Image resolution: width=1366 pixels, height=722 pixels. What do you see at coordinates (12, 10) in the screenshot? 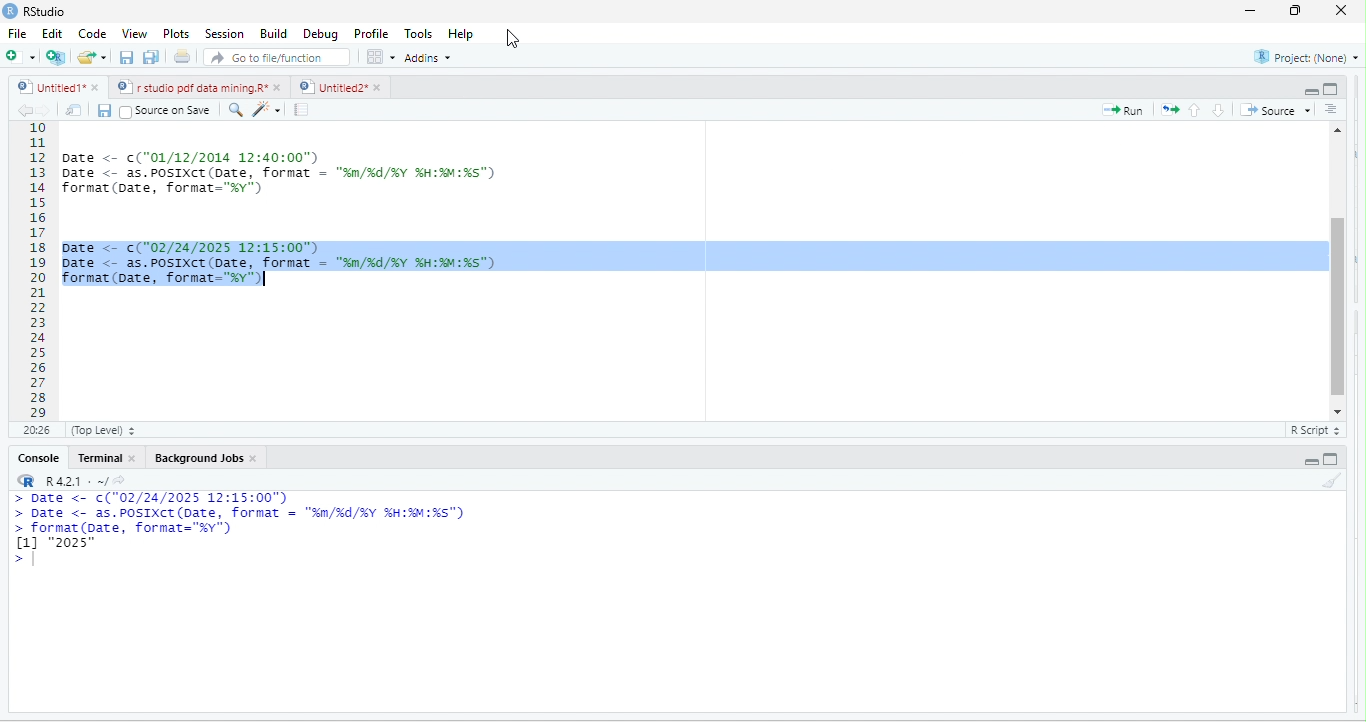
I see `rs studio logo` at bounding box center [12, 10].